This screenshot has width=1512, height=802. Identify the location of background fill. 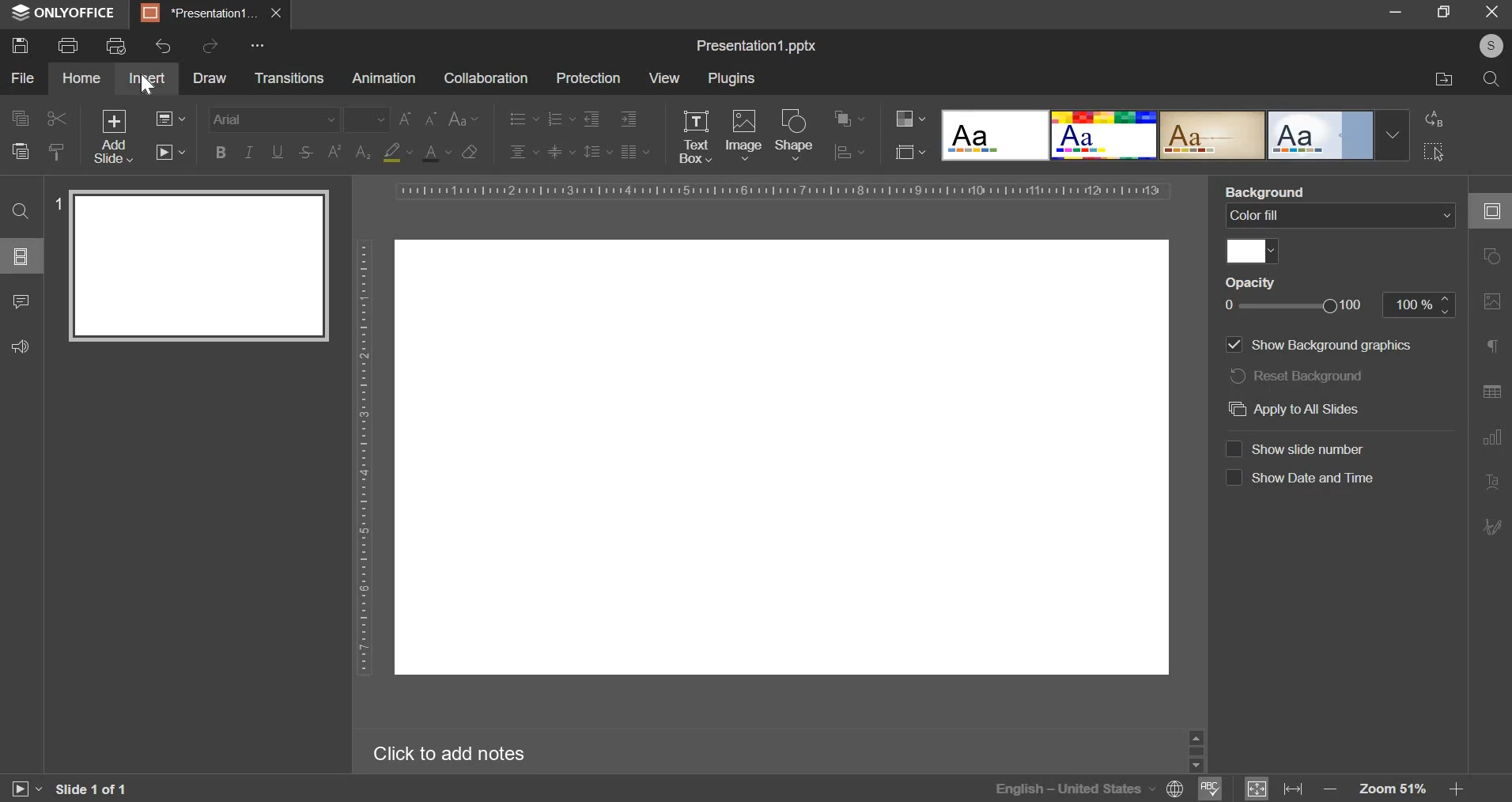
(1341, 216).